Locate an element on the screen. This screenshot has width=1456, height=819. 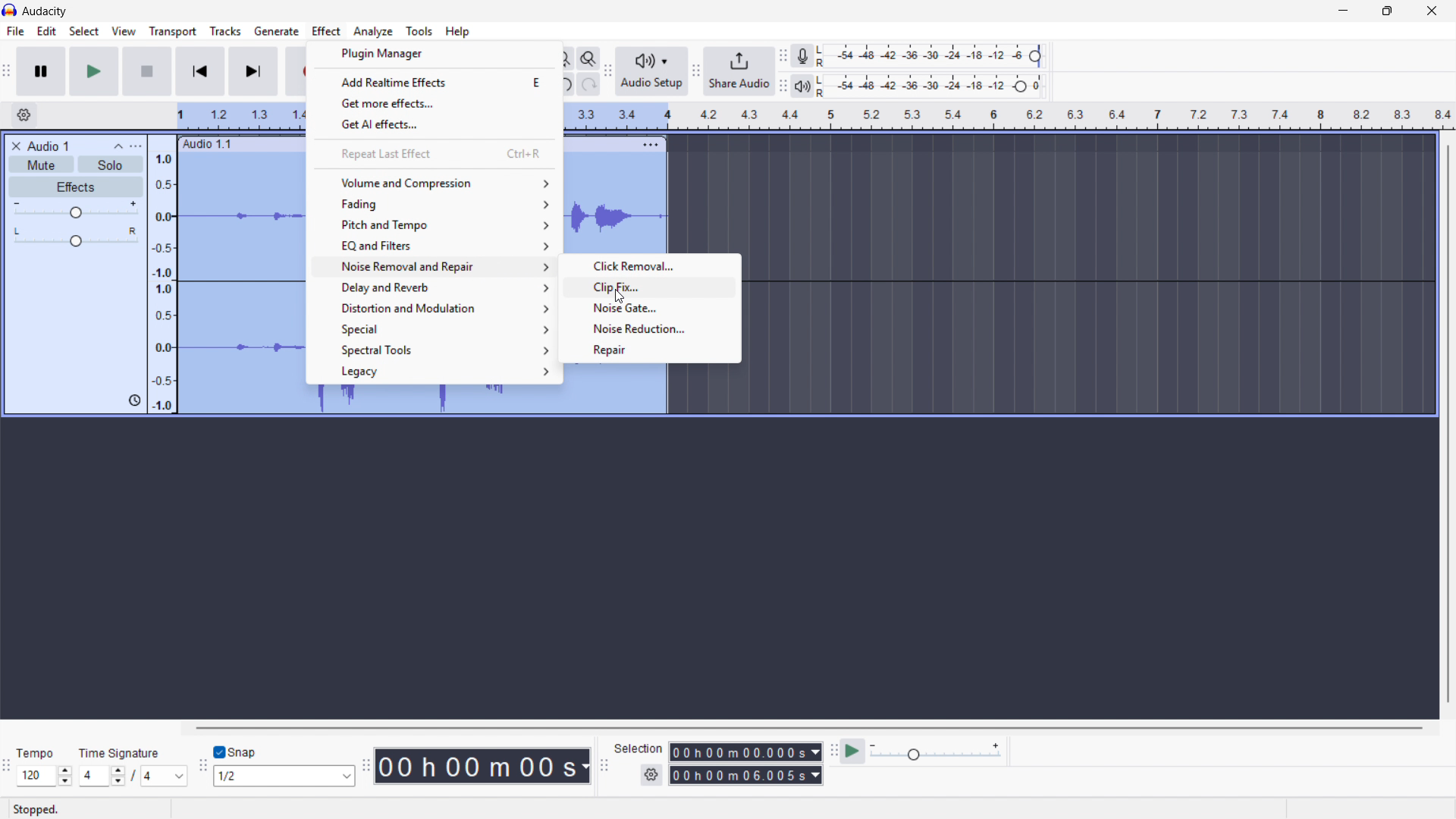
Effect is located at coordinates (327, 32).